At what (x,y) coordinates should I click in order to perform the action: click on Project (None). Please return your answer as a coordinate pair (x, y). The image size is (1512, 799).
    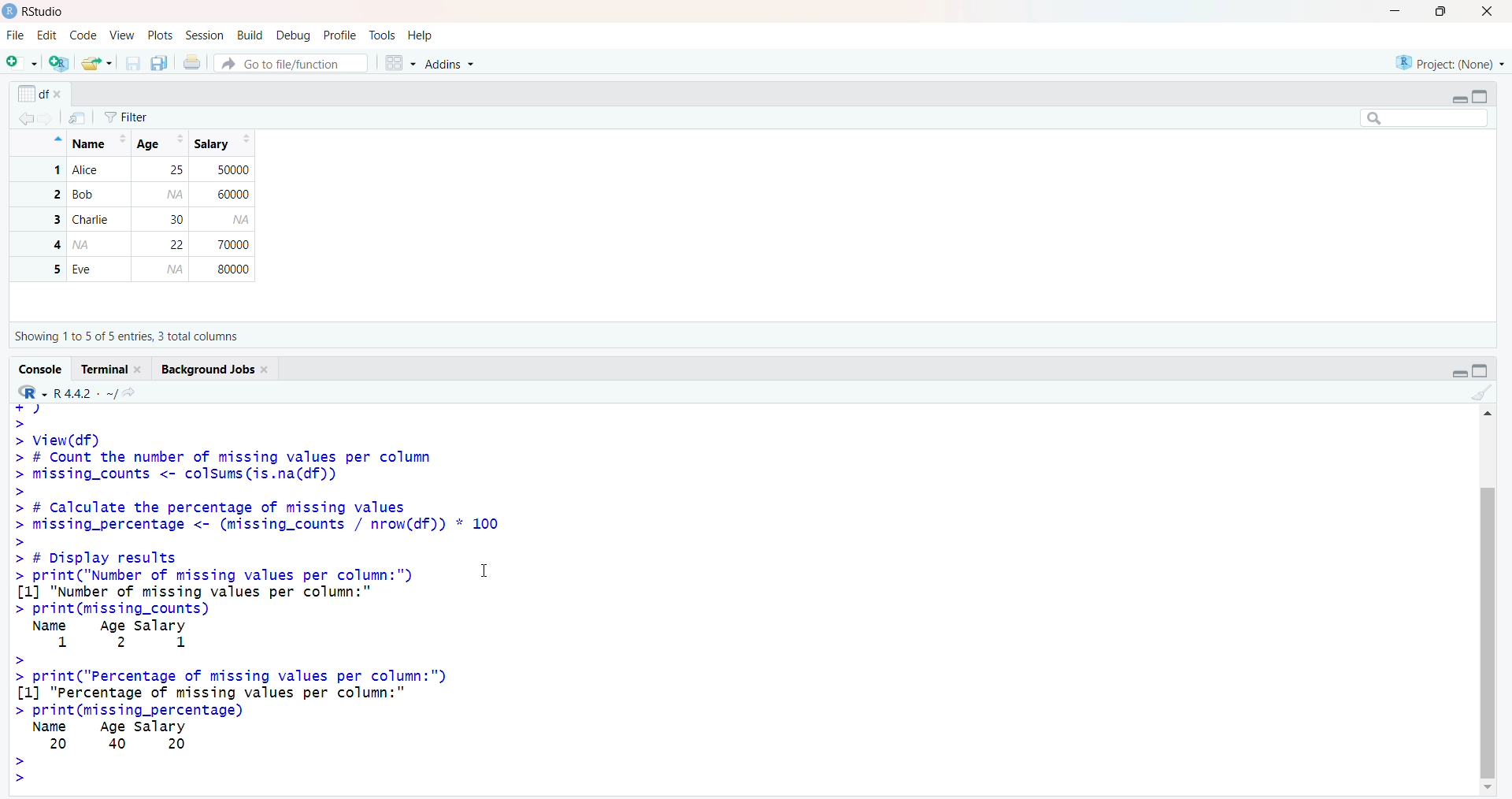
    Looking at the image, I should click on (1449, 62).